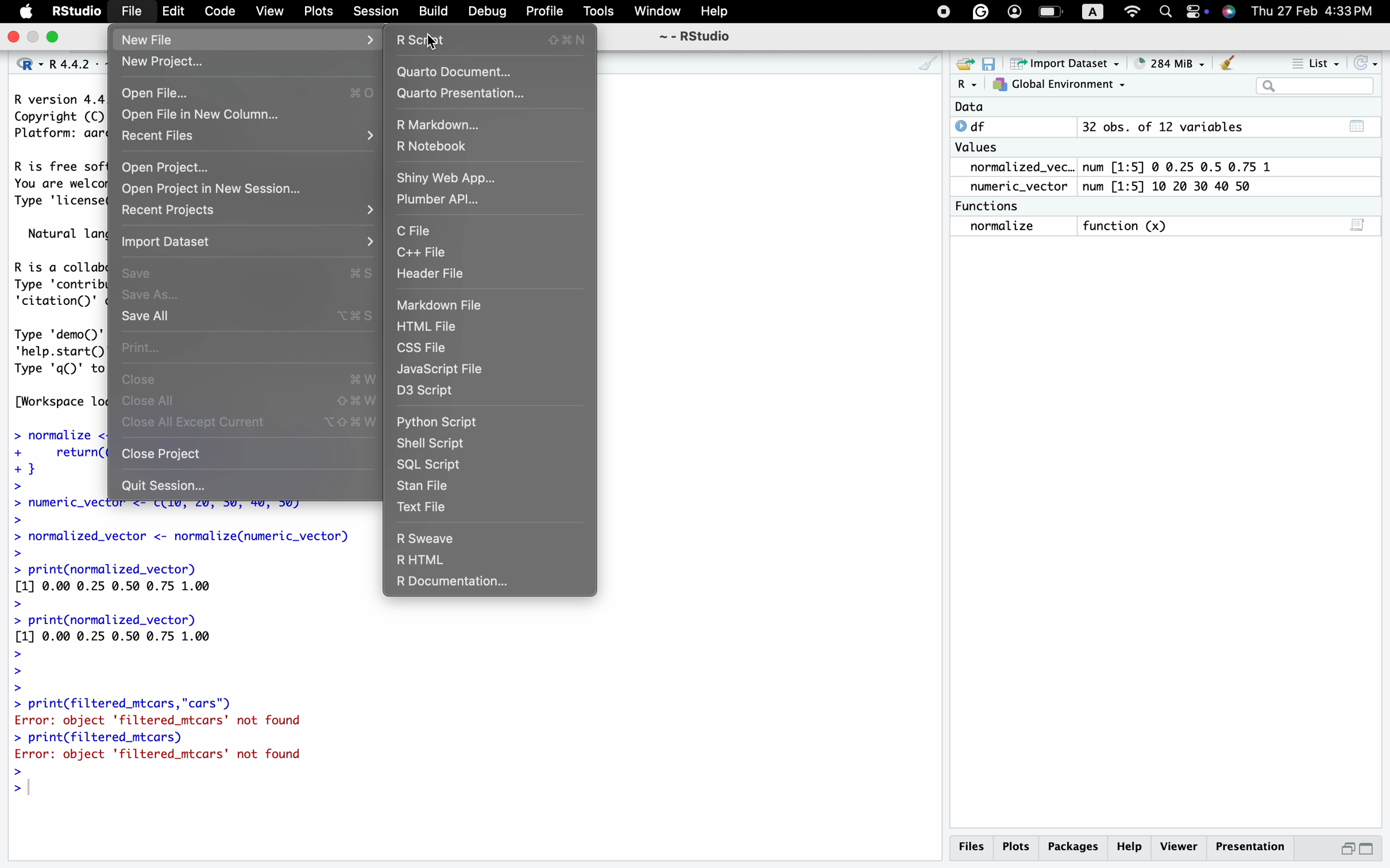 The image size is (1390, 868). I want to click on apple logo, so click(27, 10).